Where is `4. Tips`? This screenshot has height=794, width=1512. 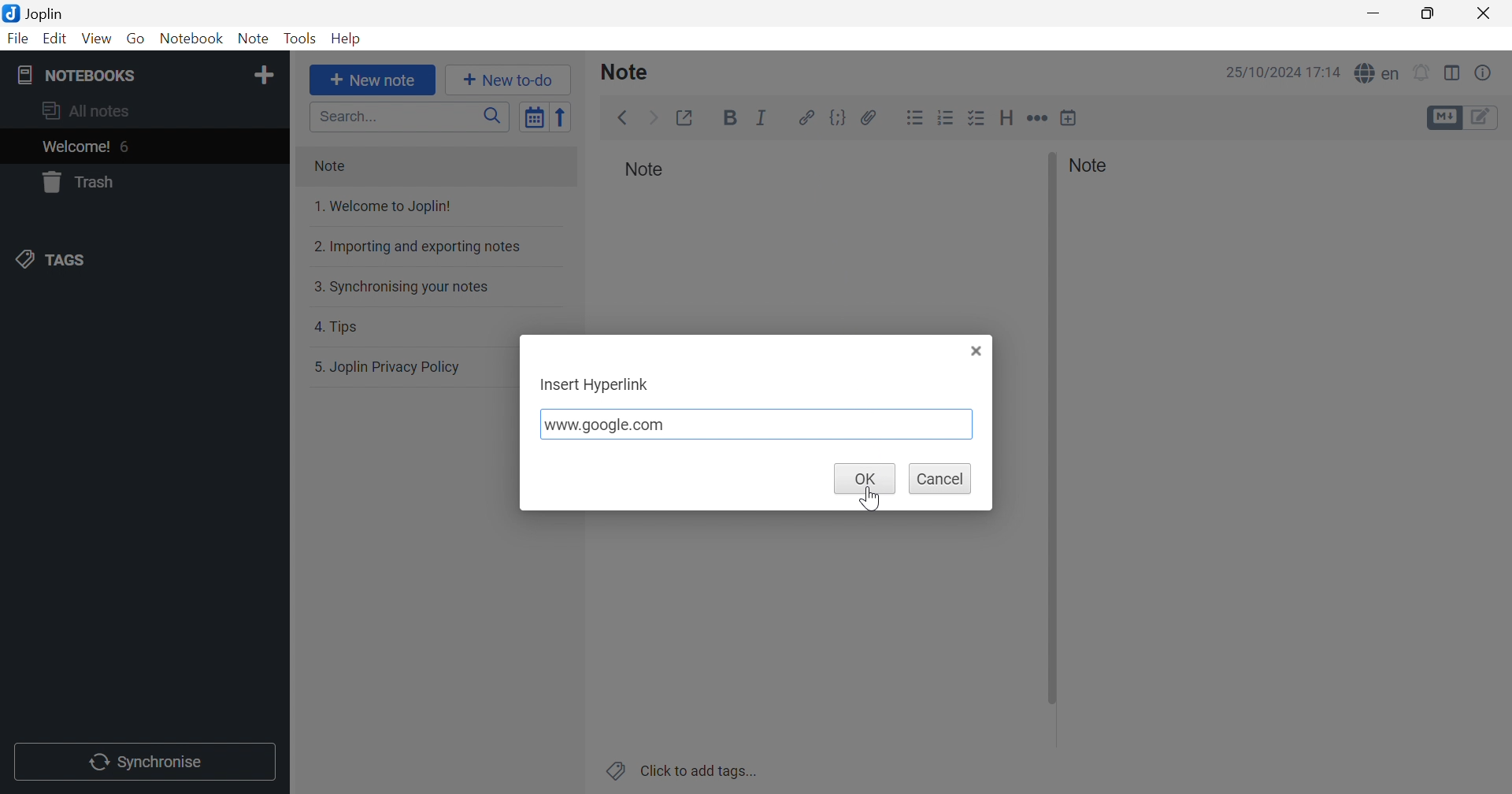
4. Tips is located at coordinates (430, 325).